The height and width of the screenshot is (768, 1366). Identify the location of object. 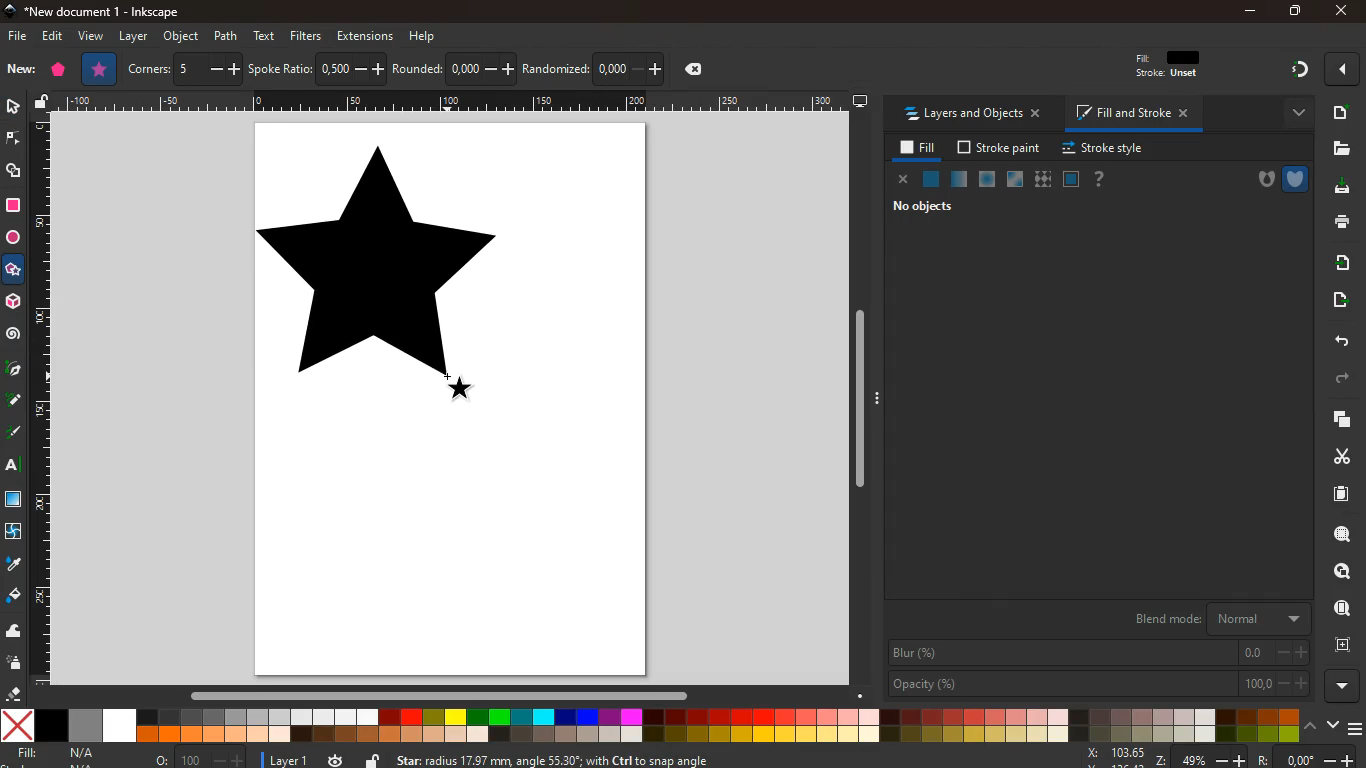
(180, 36).